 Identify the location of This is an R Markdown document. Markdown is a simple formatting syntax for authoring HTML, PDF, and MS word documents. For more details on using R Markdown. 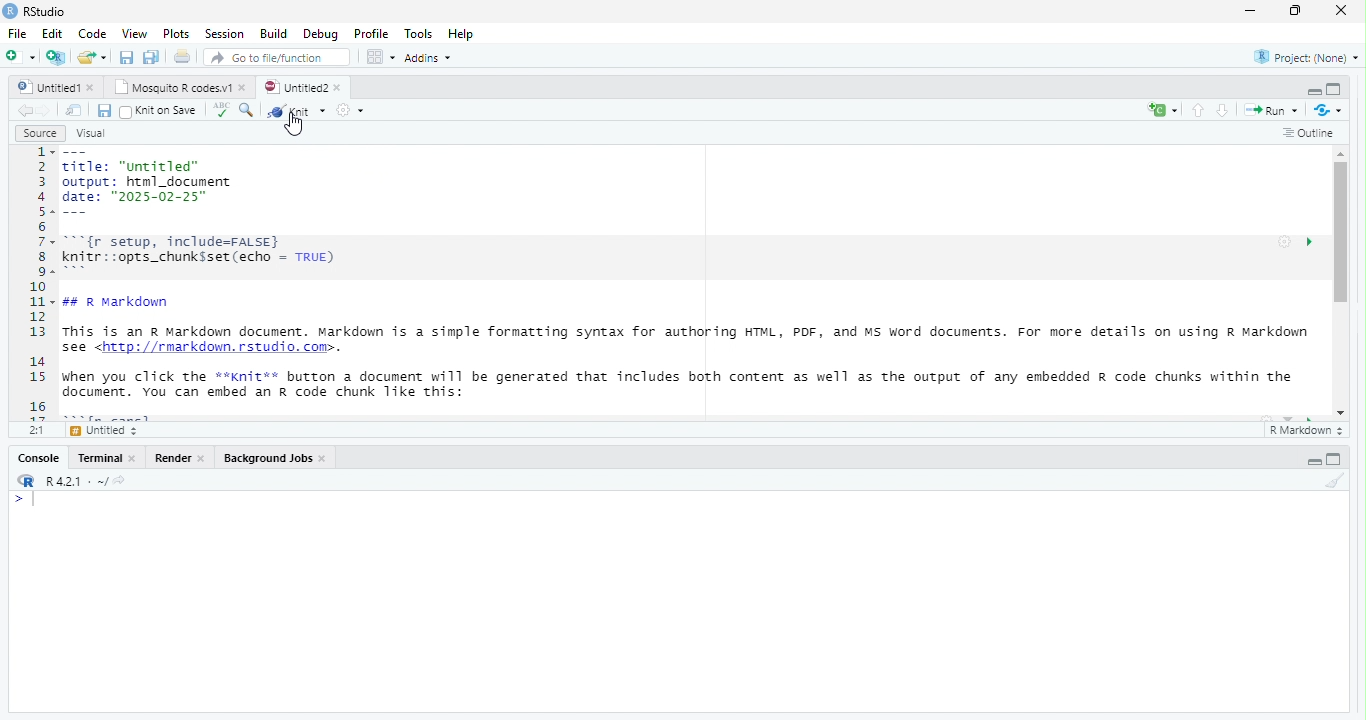
(687, 332).